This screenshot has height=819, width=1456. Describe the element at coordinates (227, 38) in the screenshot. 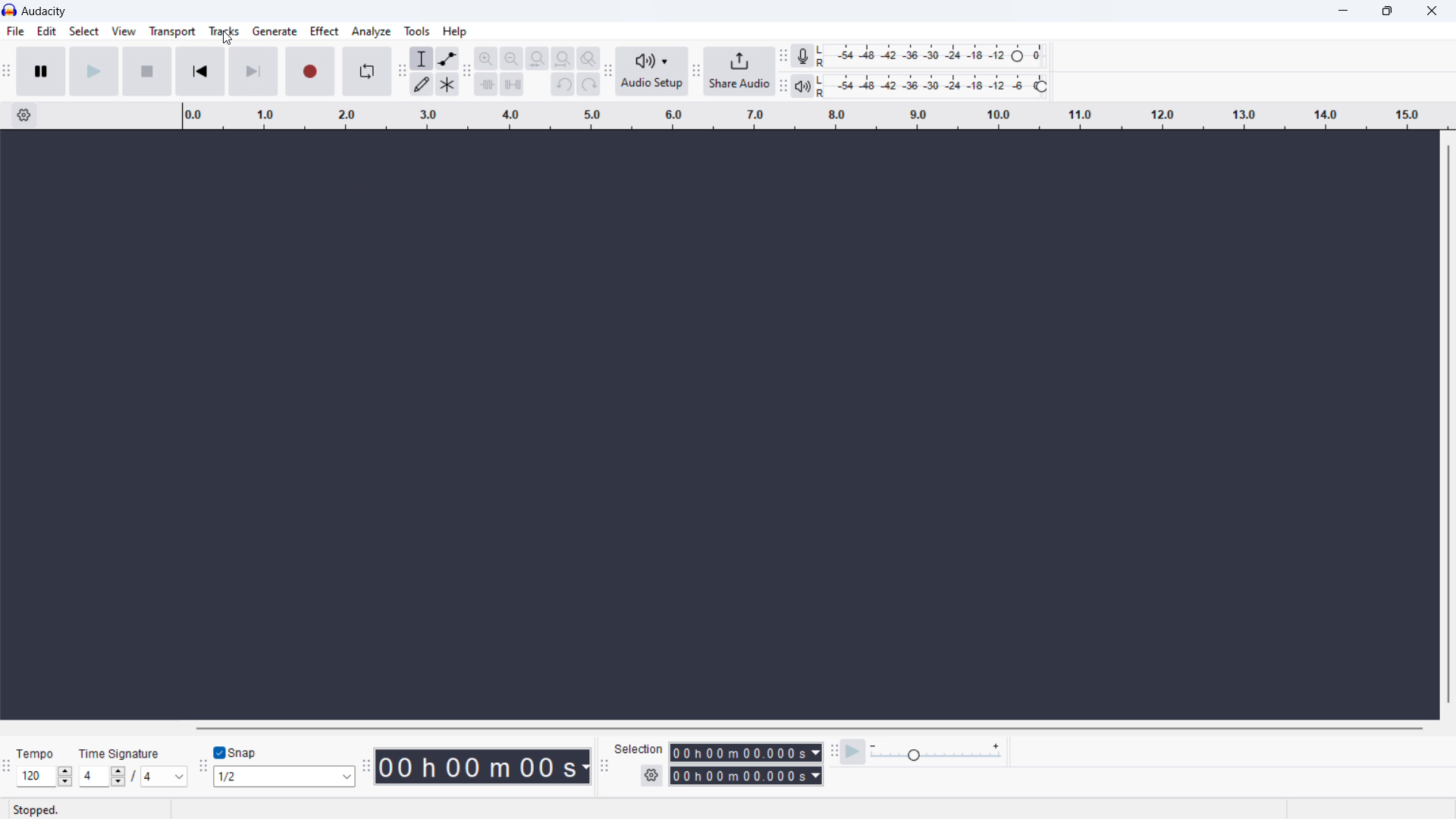

I see `cursor` at that location.